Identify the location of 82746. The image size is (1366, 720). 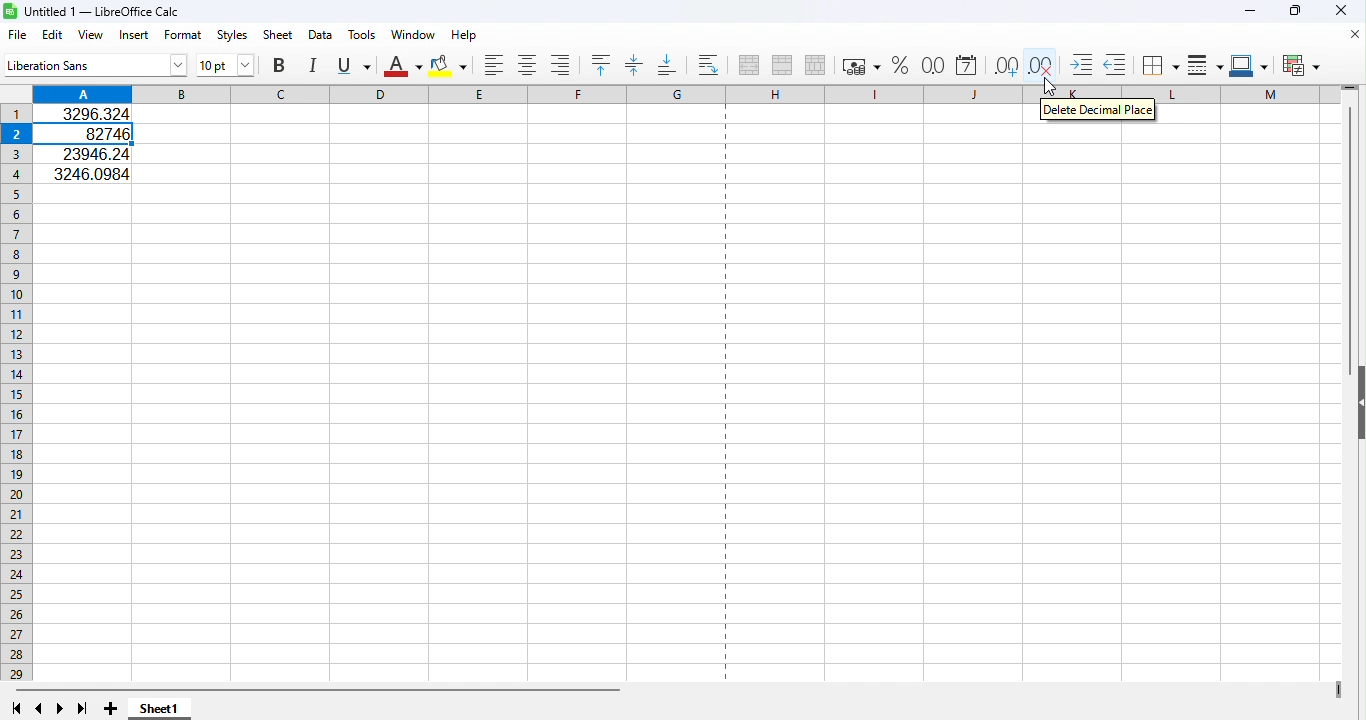
(92, 134).